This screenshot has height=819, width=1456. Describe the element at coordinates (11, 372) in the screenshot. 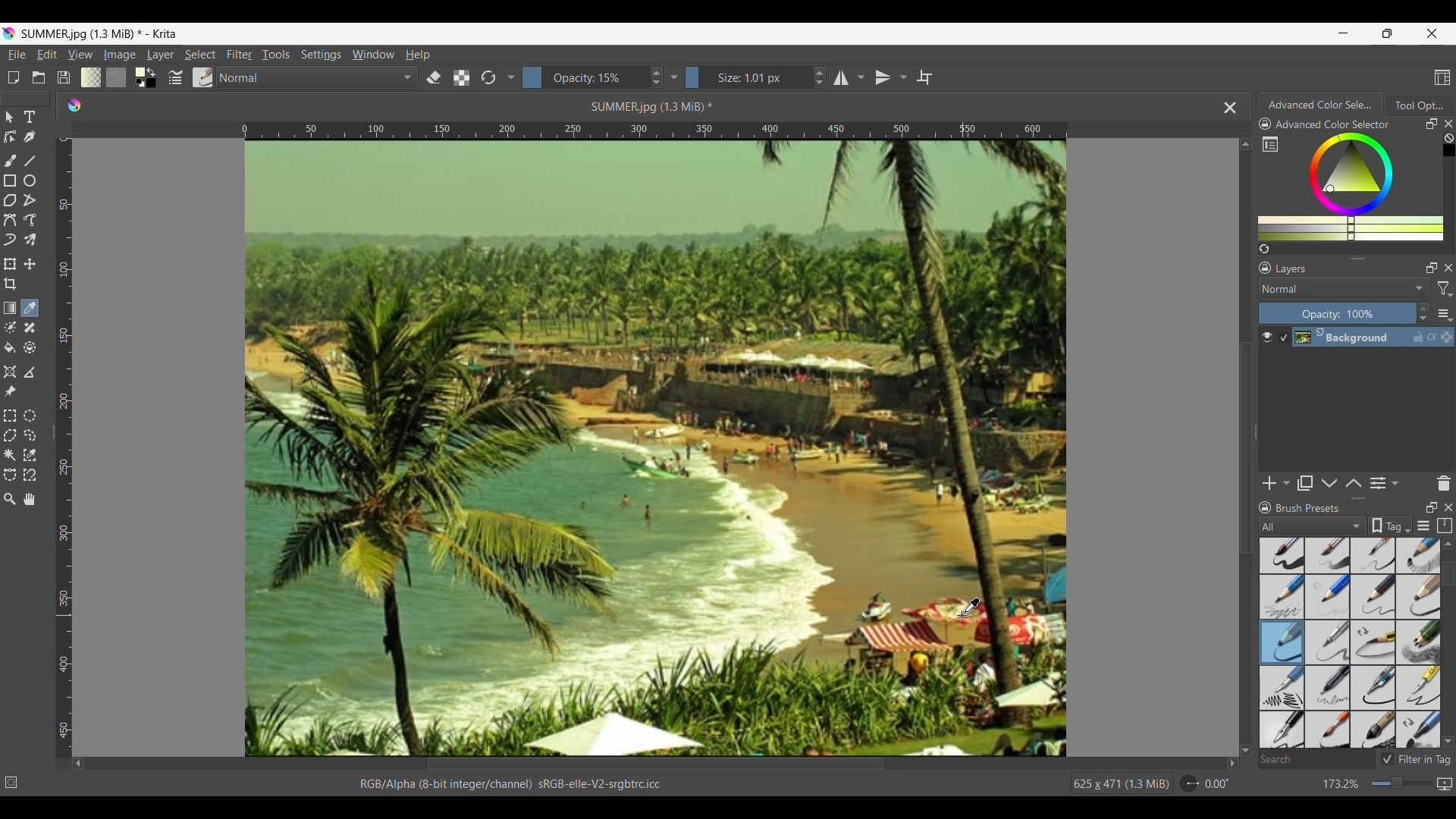

I see `Assistant tool` at that location.